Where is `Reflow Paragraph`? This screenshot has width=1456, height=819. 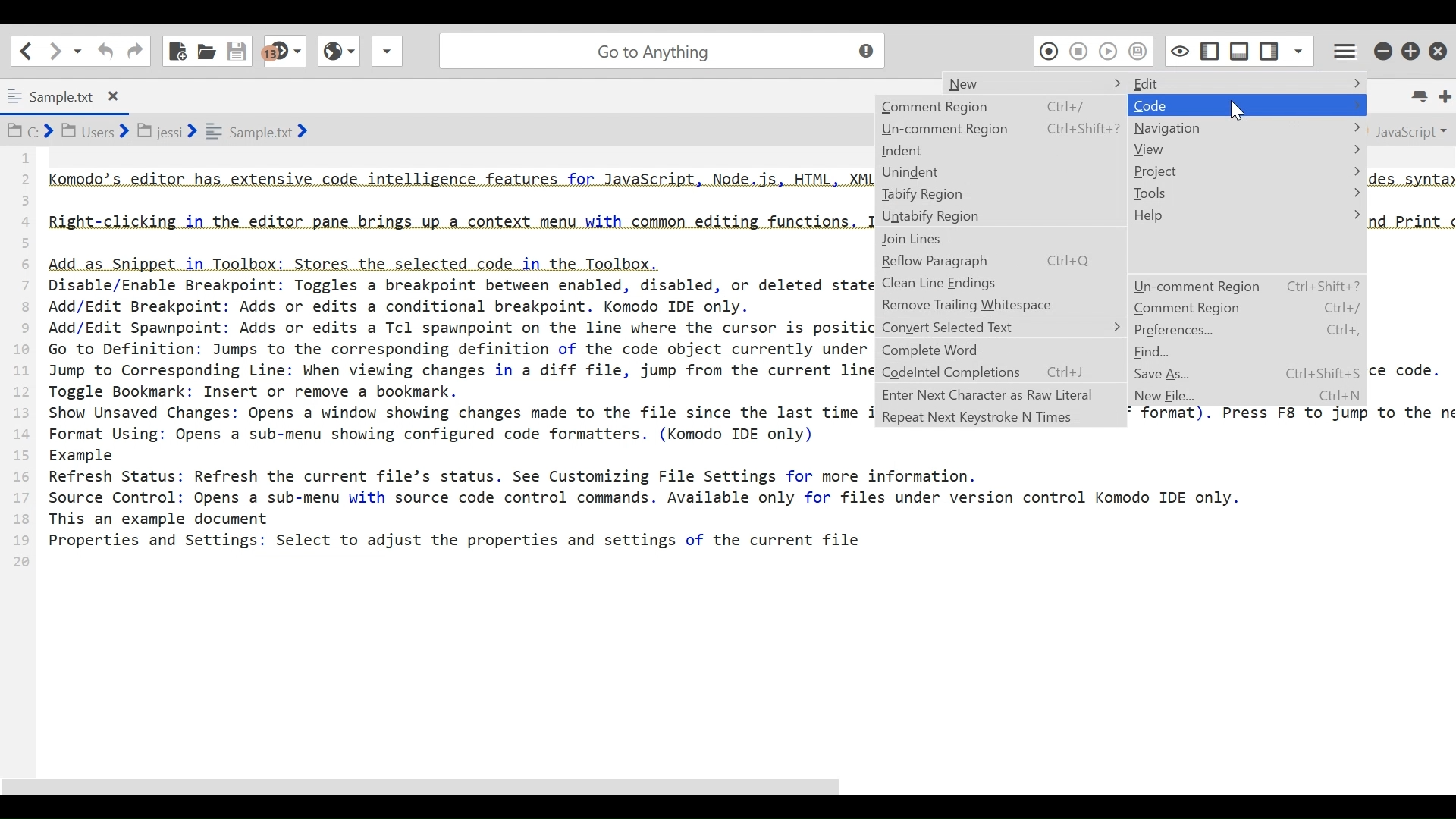
Reflow Paragraph is located at coordinates (999, 262).